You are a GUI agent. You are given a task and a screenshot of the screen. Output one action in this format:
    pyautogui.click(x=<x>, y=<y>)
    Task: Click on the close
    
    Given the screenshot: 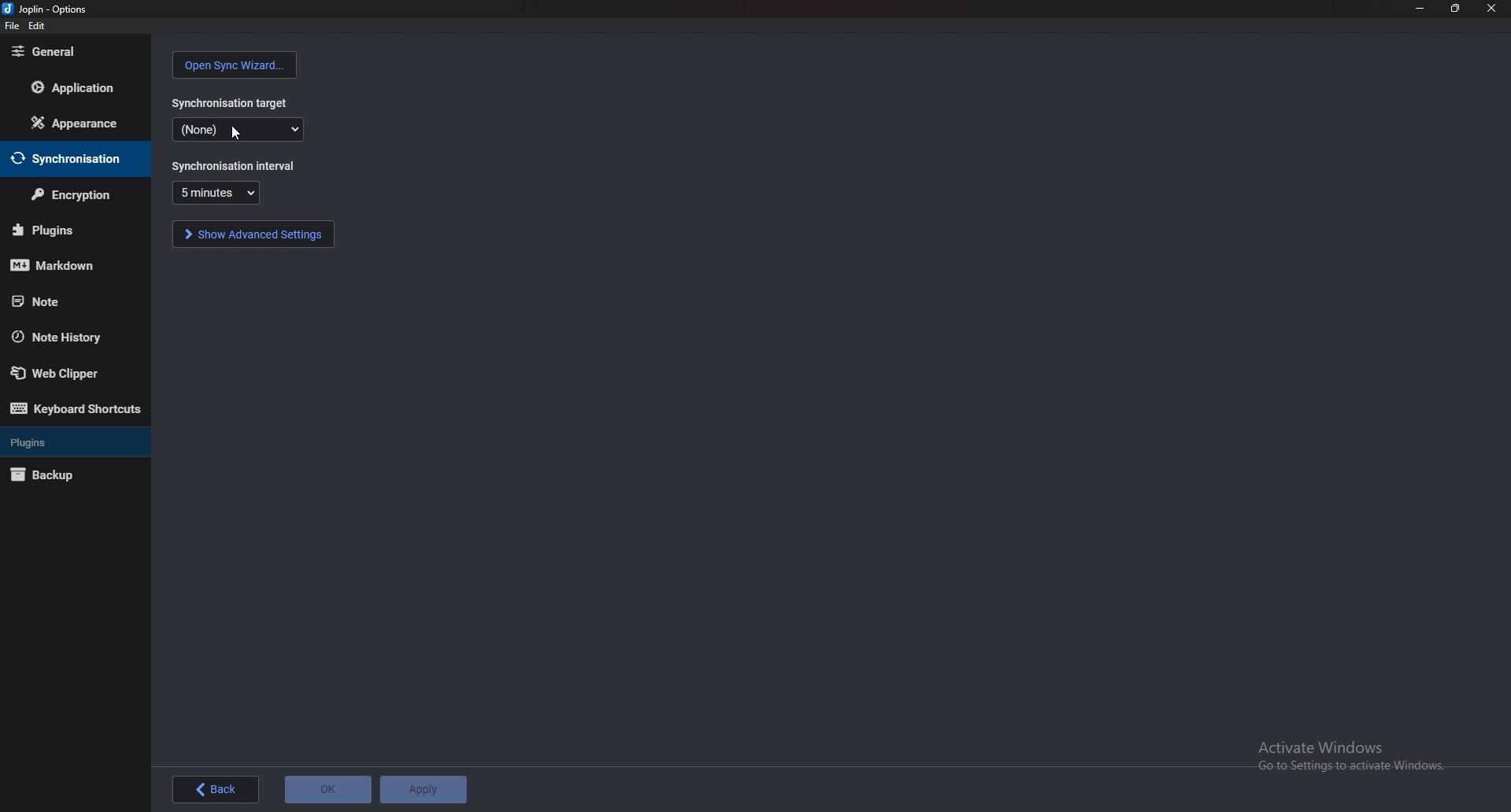 What is the action you would take?
    pyautogui.click(x=1491, y=9)
    